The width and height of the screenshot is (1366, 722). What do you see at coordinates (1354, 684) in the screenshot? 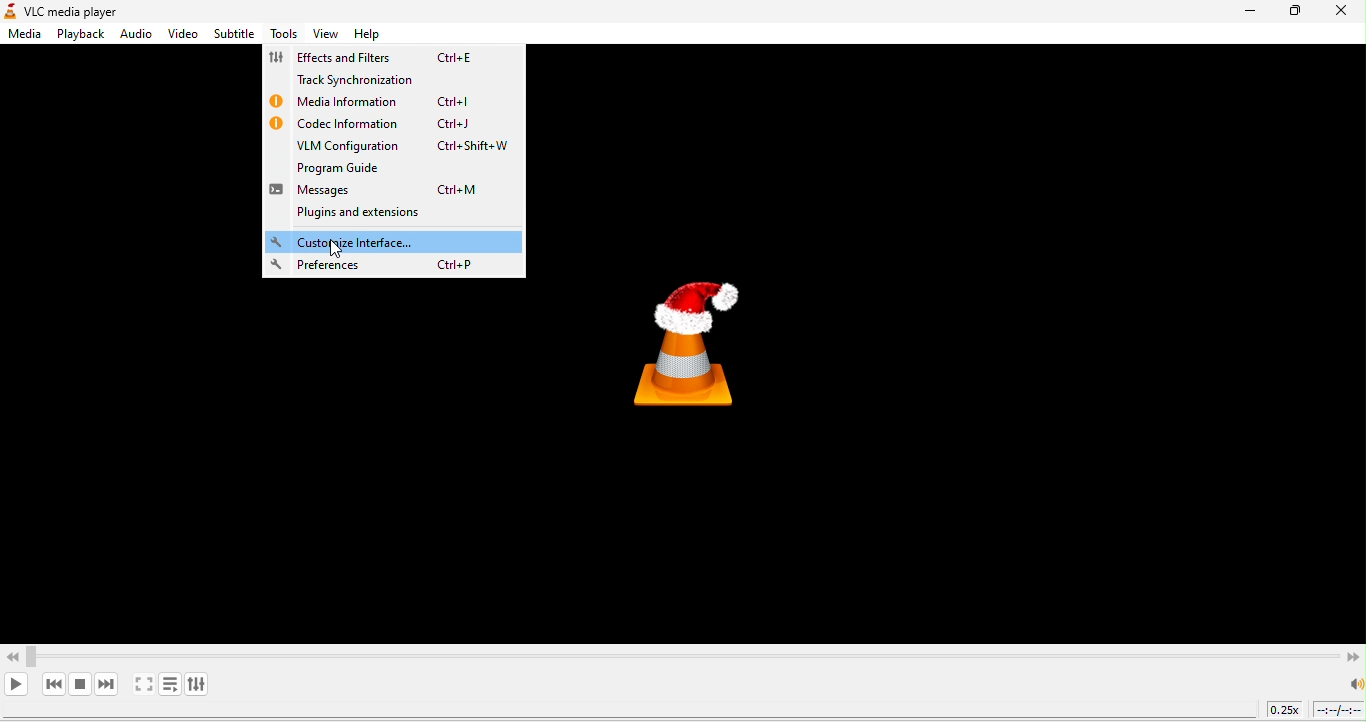
I see `speaker` at bounding box center [1354, 684].